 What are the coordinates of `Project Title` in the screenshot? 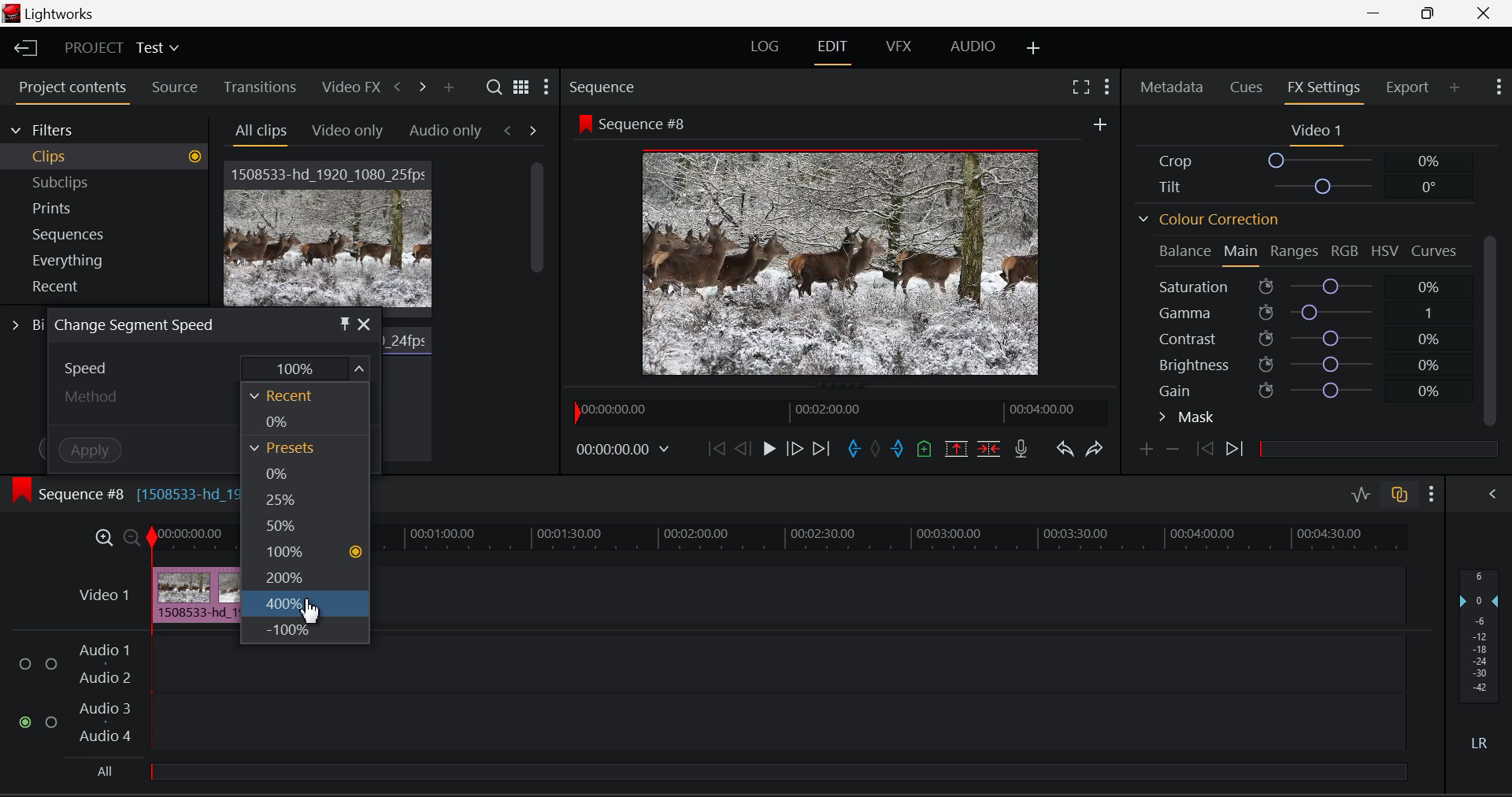 It's located at (124, 49).